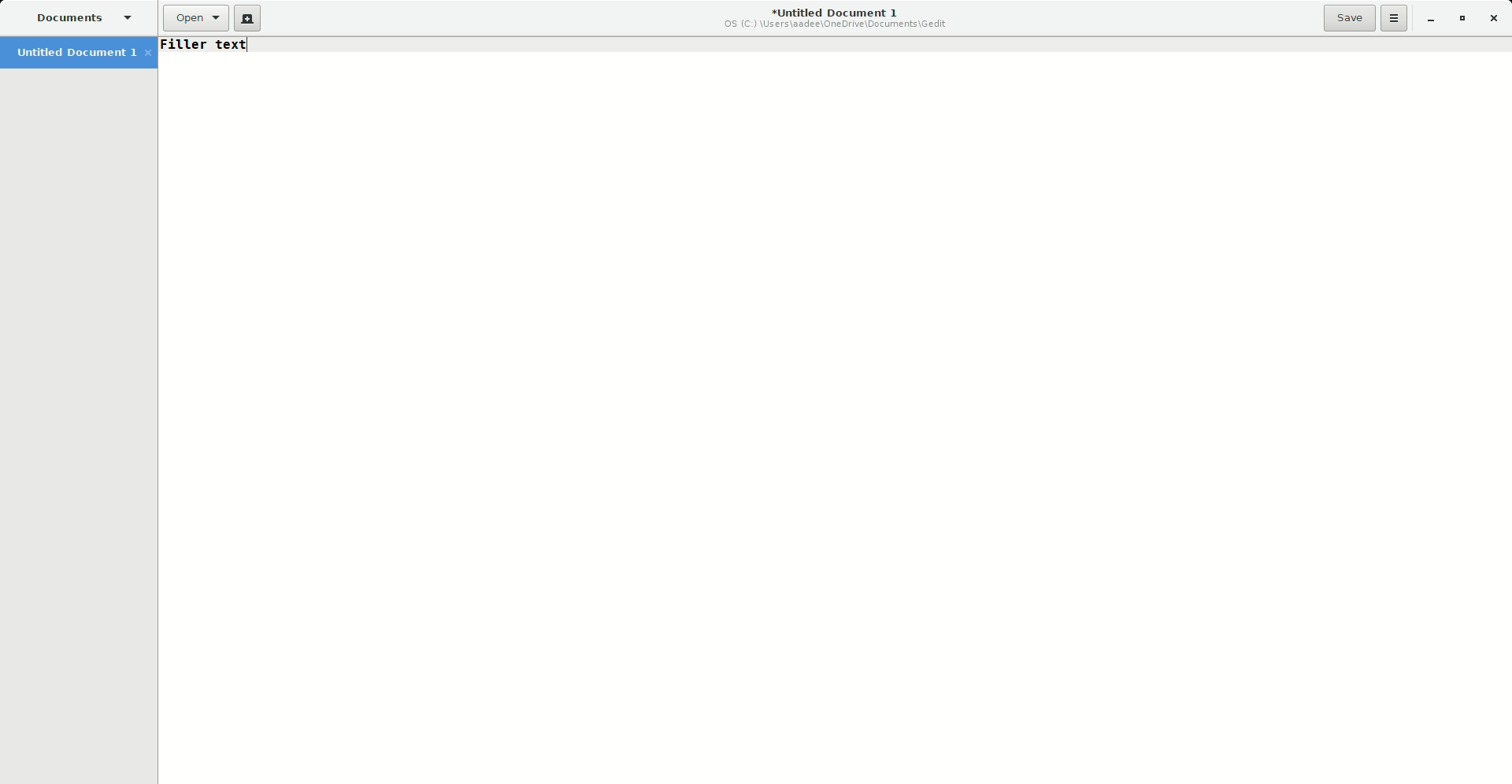 The height and width of the screenshot is (784, 1512). I want to click on Options, so click(1395, 18).